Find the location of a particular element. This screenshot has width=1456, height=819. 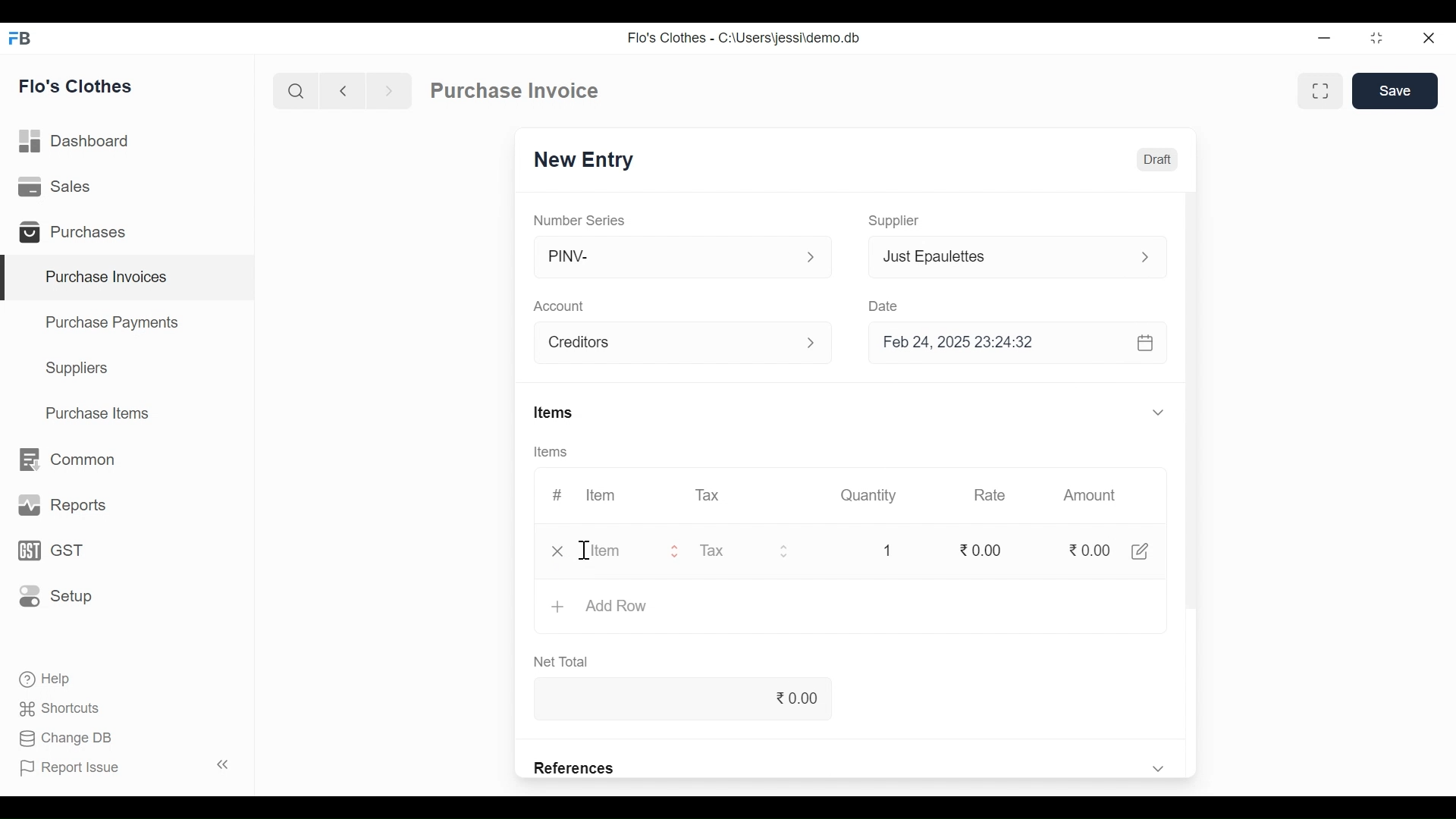

Edit is located at coordinates (1141, 551).